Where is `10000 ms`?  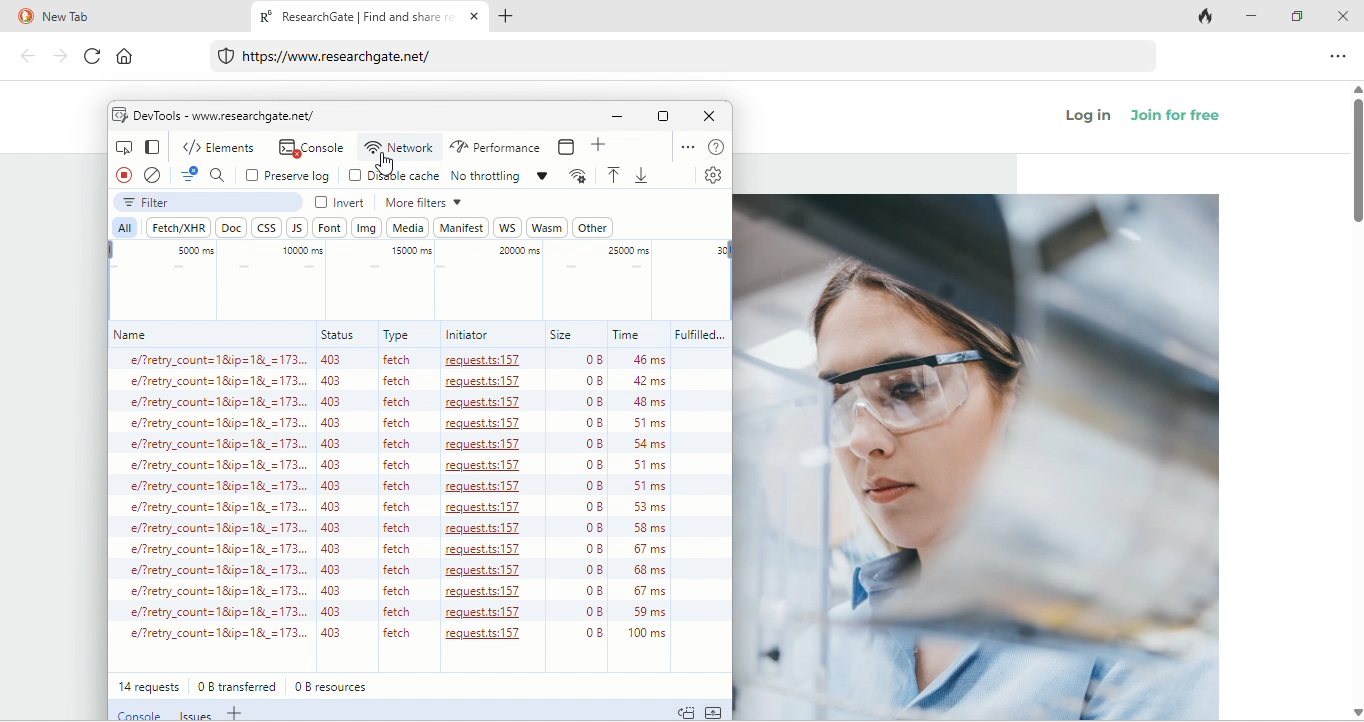
10000 ms is located at coordinates (298, 249).